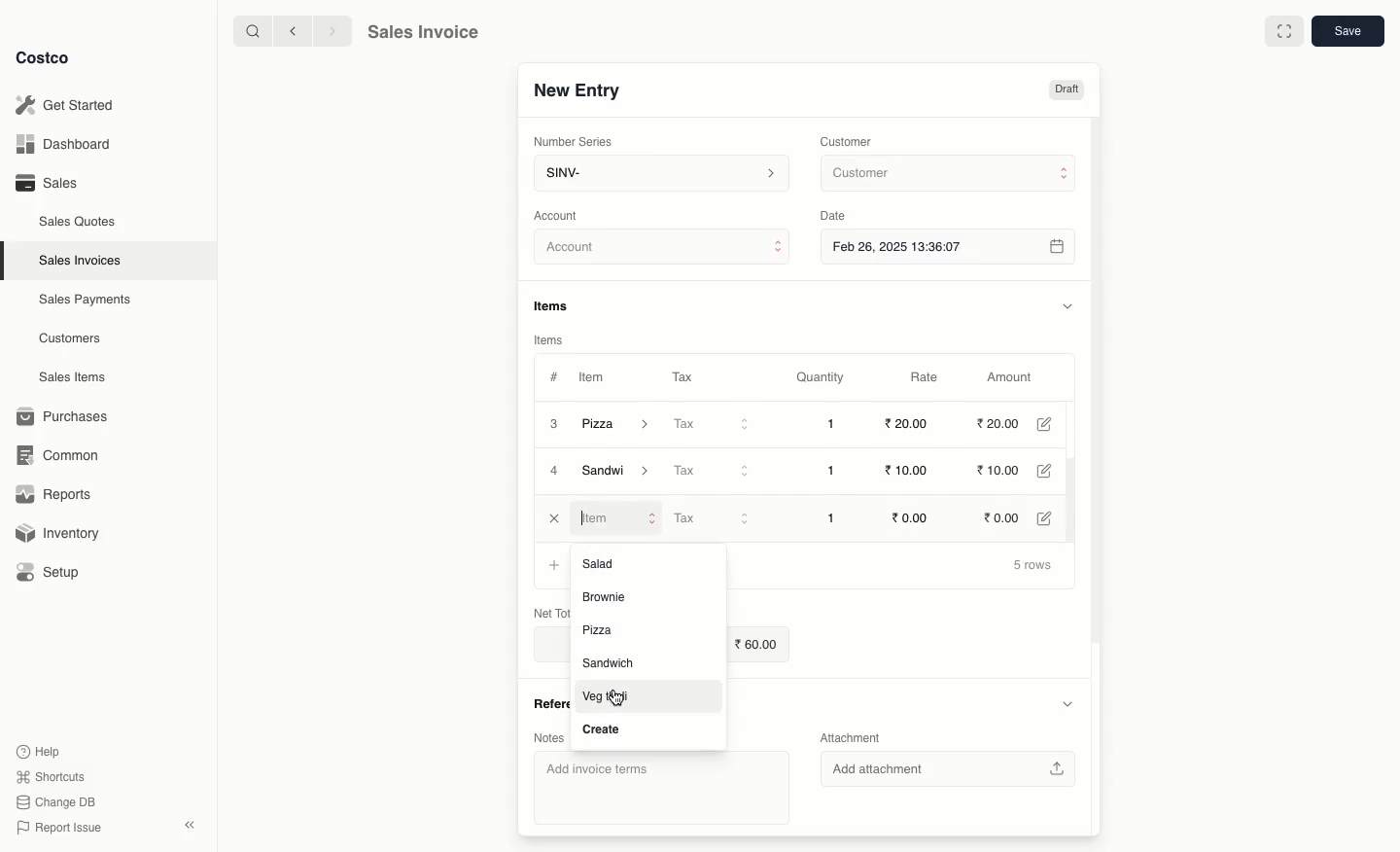 The width and height of the screenshot is (1400, 852). What do you see at coordinates (609, 664) in the screenshot?
I see `‘Sandwich` at bounding box center [609, 664].